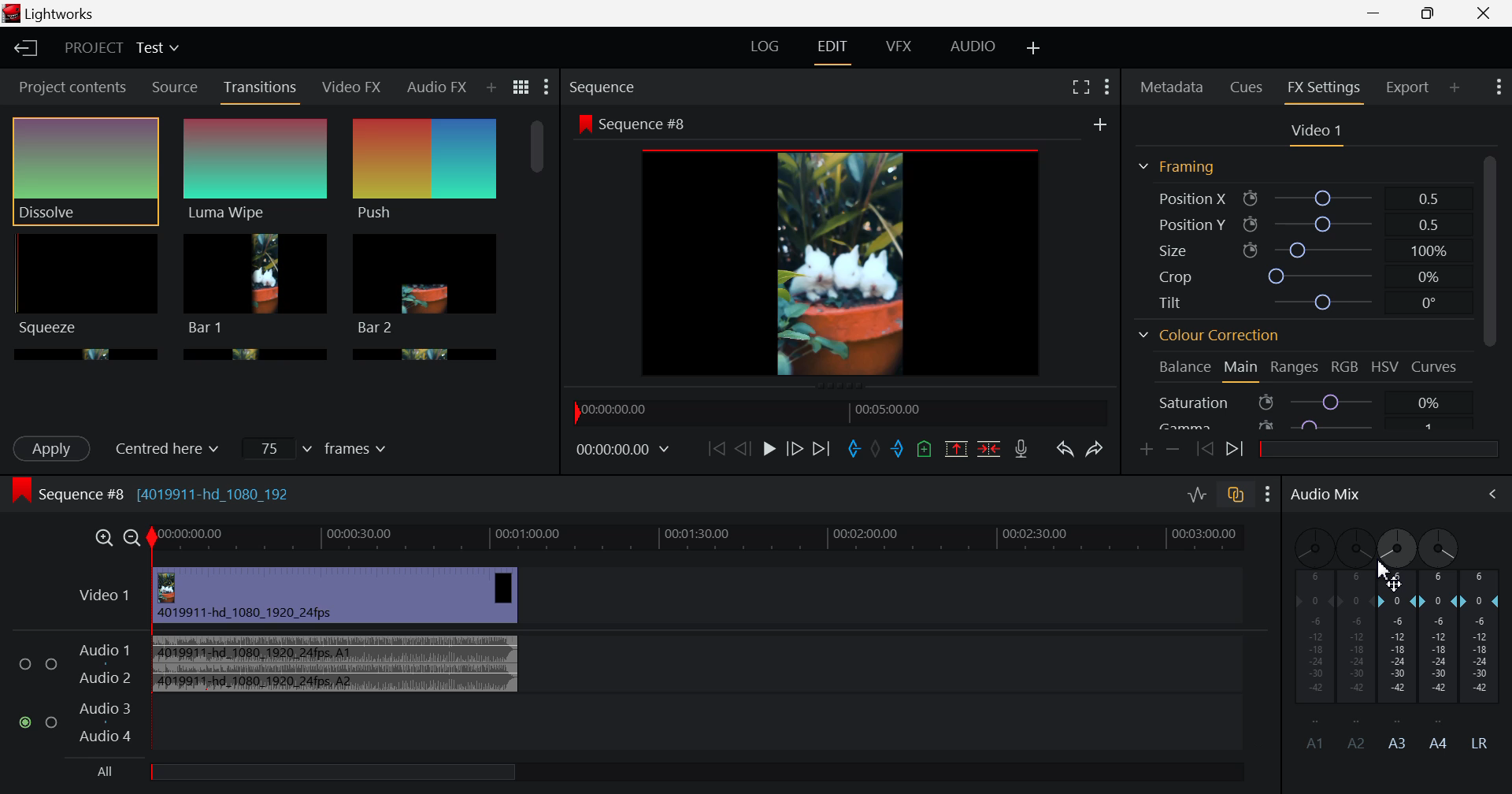 The image size is (1512, 794). Describe the element at coordinates (1485, 659) in the screenshot. I see `LR Decibel Level` at that location.